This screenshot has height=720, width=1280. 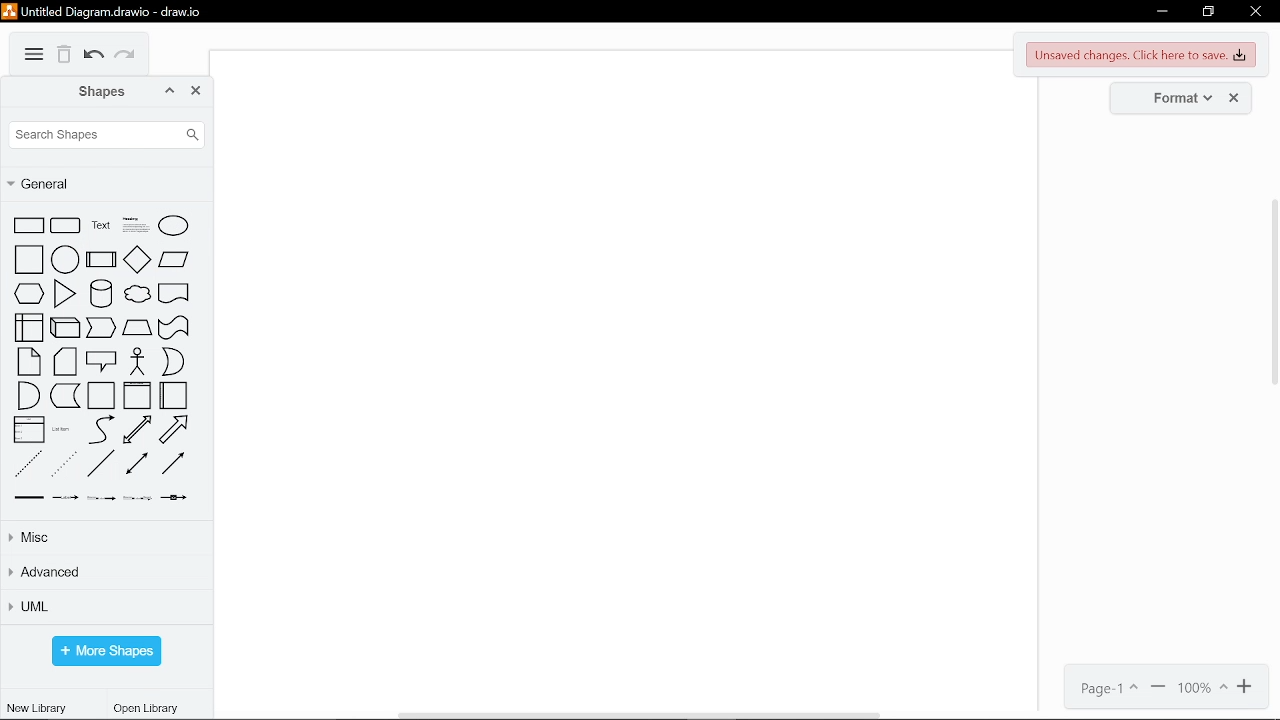 What do you see at coordinates (66, 363) in the screenshot?
I see `card` at bounding box center [66, 363].